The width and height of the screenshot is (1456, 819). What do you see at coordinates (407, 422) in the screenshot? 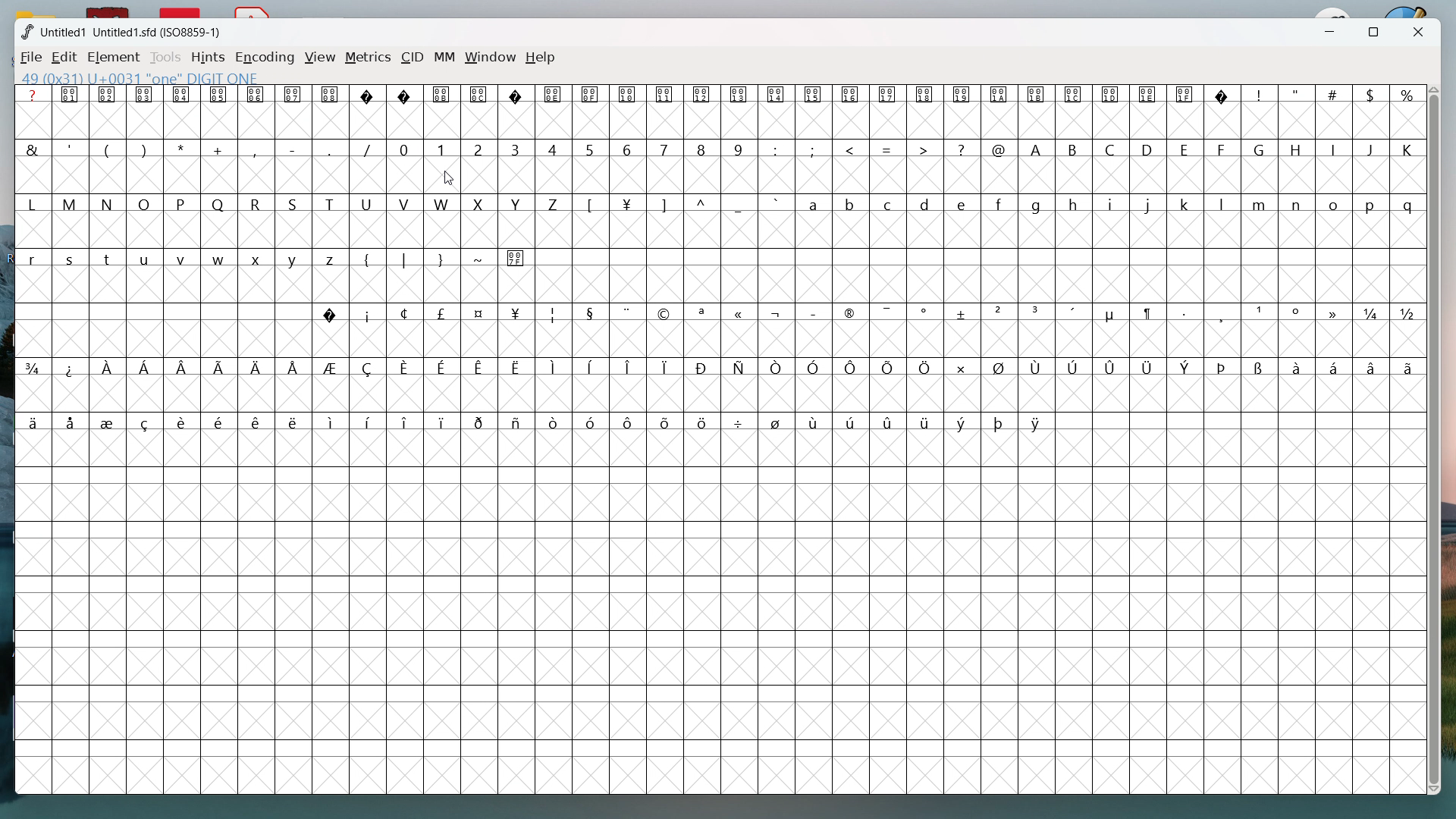
I see `symbol` at bounding box center [407, 422].